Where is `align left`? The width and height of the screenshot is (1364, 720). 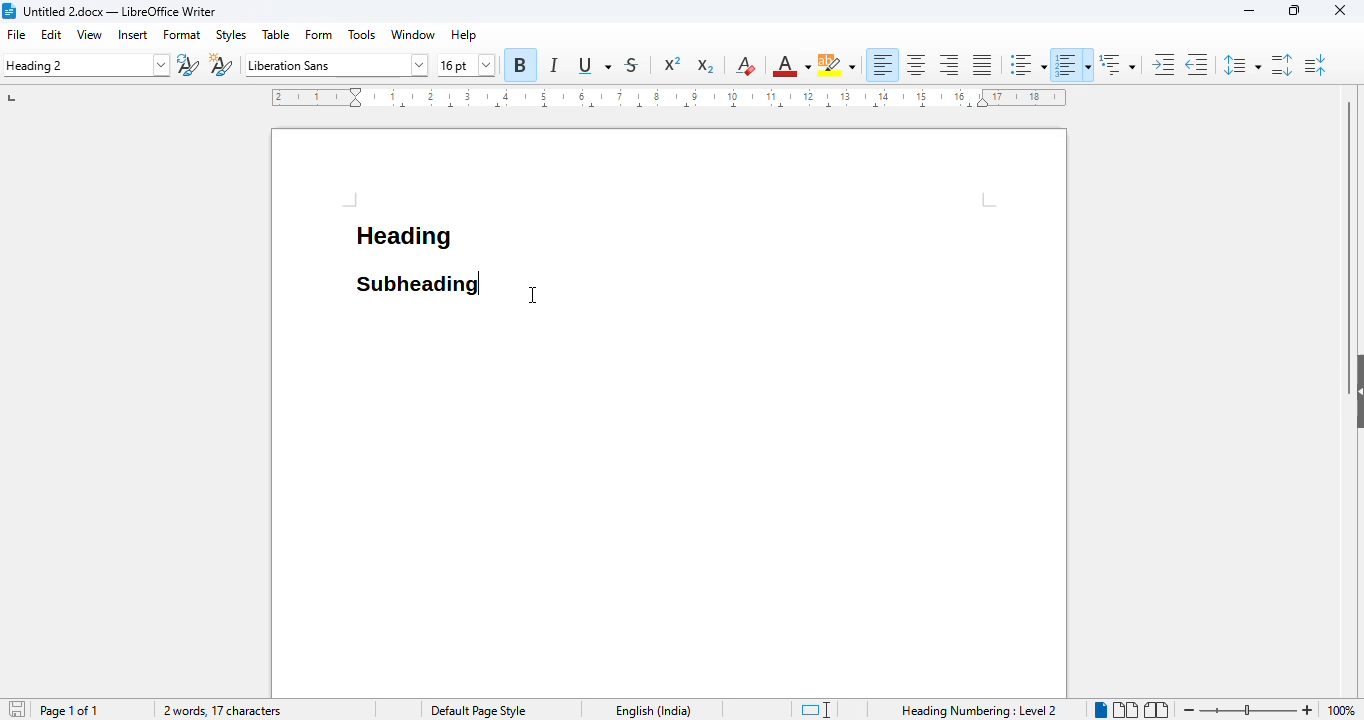
align left is located at coordinates (884, 65).